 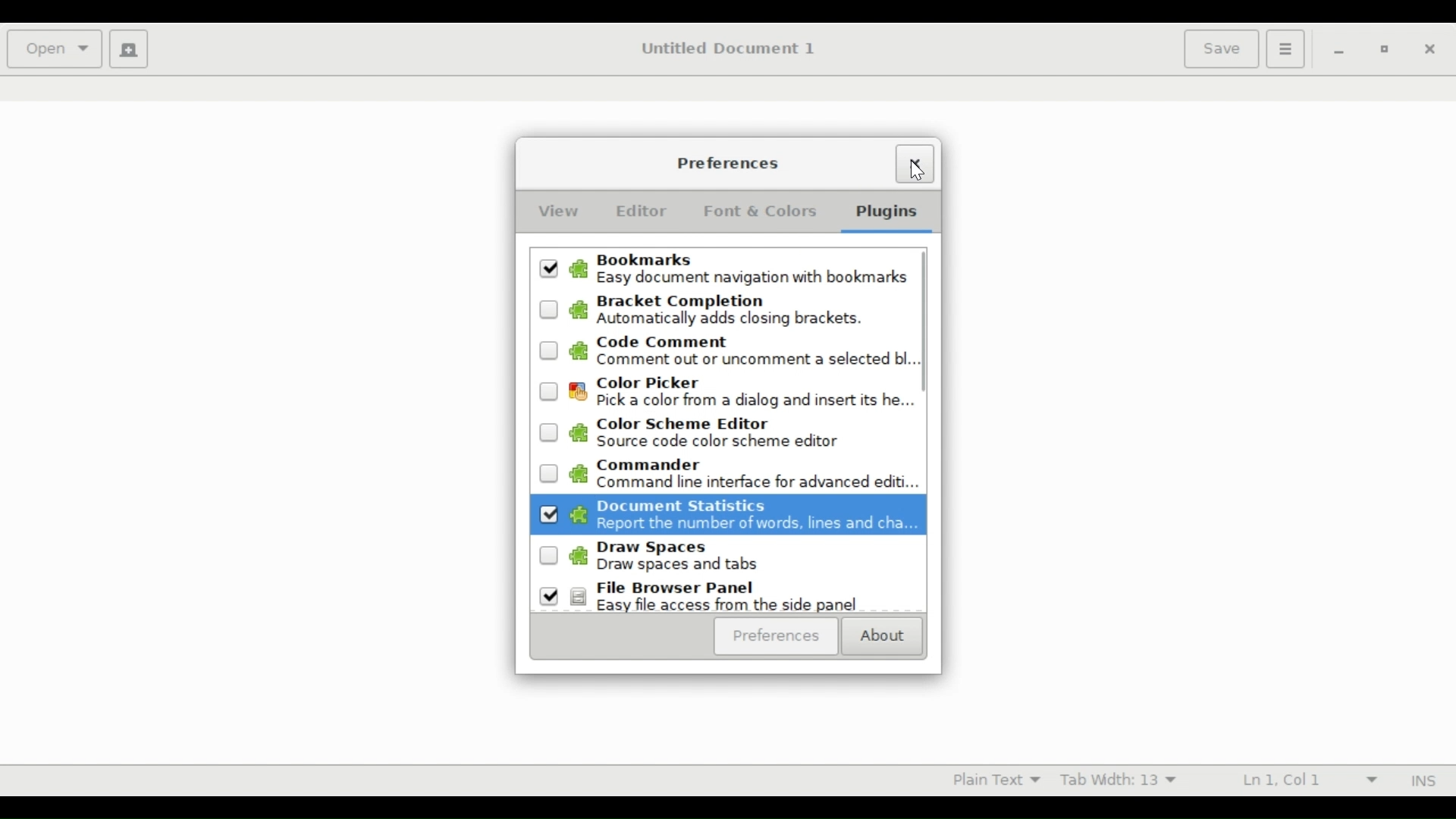 What do you see at coordinates (914, 168) in the screenshot?
I see `Cursor` at bounding box center [914, 168].